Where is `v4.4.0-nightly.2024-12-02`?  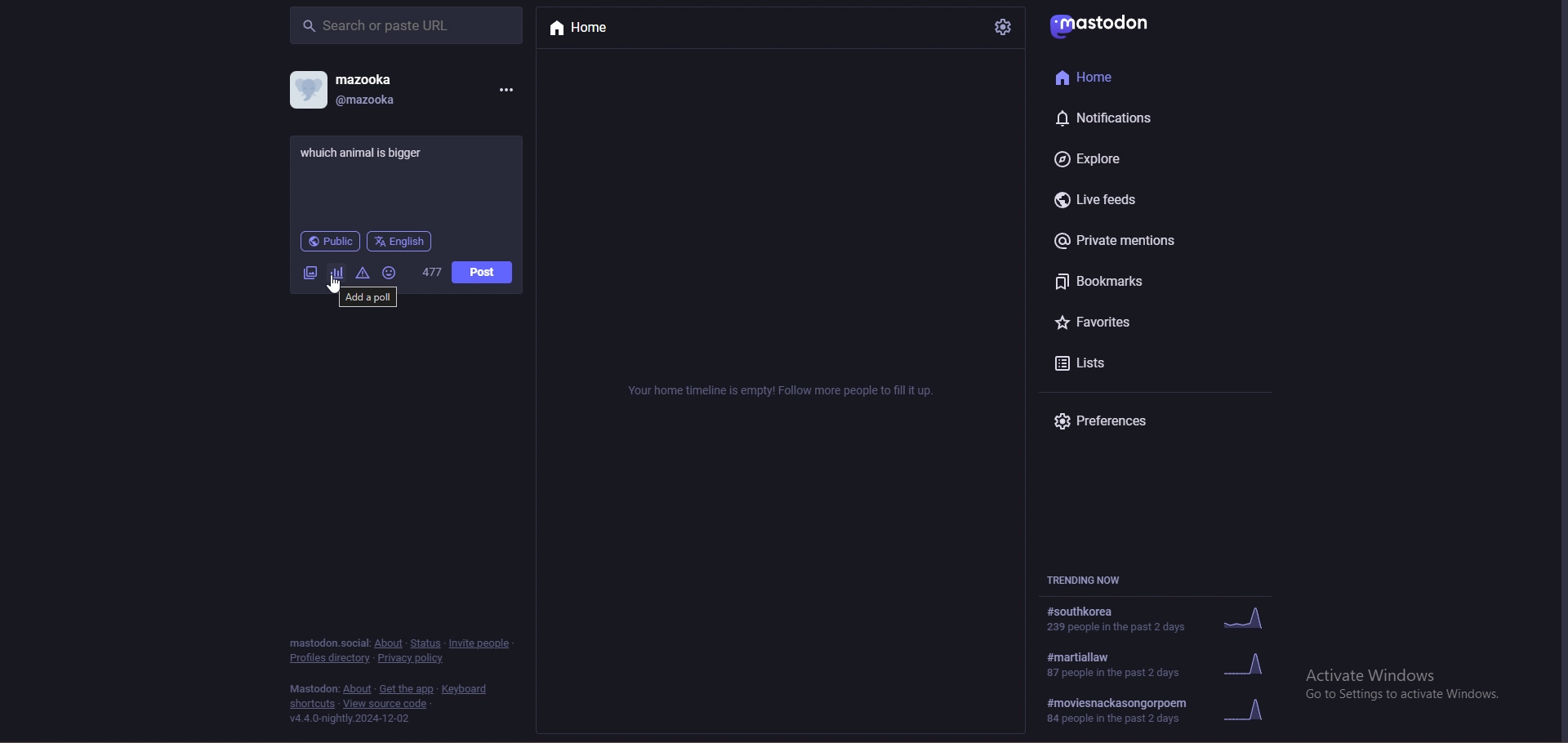
v4.4.0-nightly.2024-12-02 is located at coordinates (350, 719).